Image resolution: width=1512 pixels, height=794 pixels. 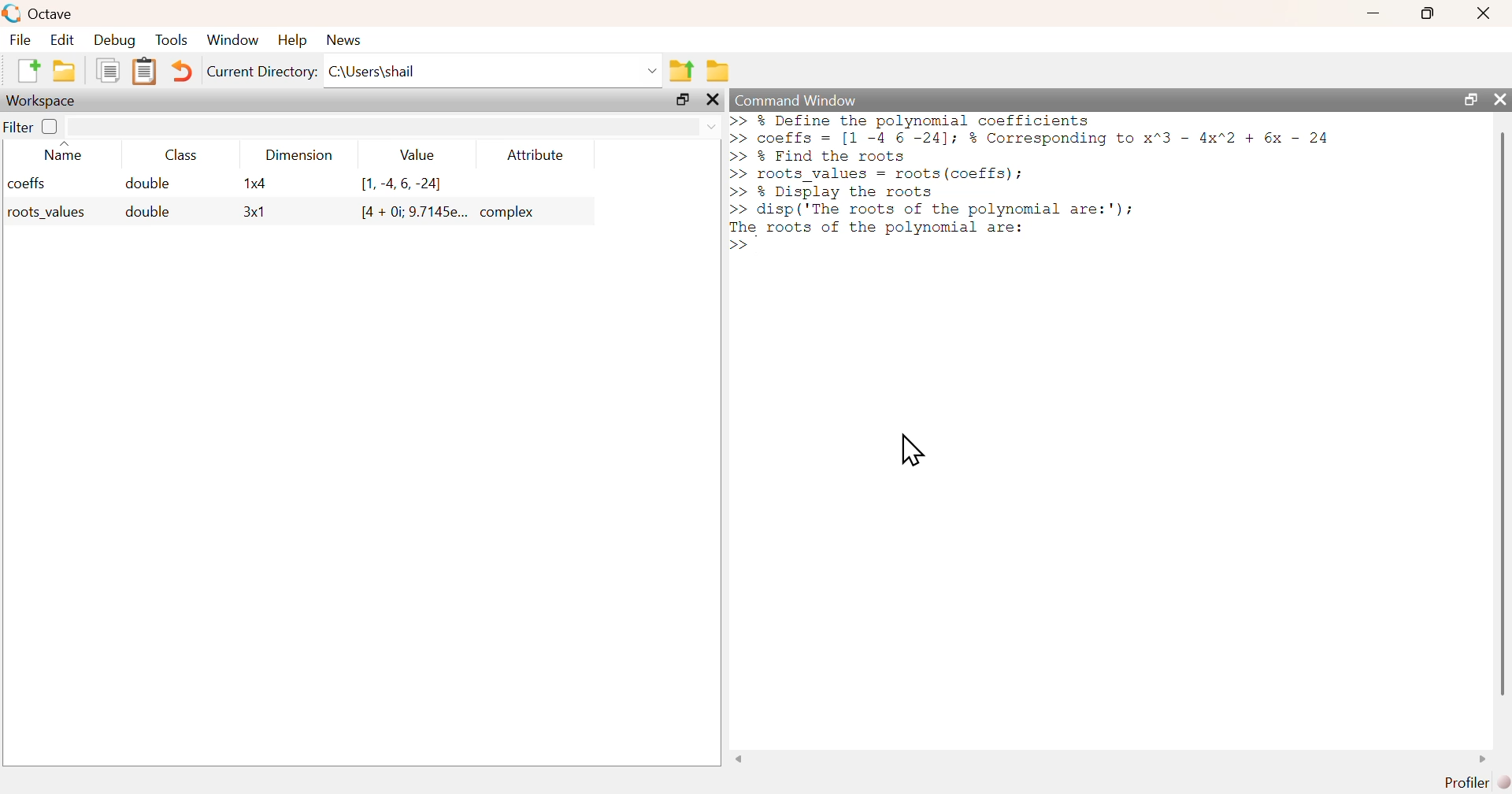 What do you see at coordinates (510, 212) in the screenshot?
I see `complex` at bounding box center [510, 212].